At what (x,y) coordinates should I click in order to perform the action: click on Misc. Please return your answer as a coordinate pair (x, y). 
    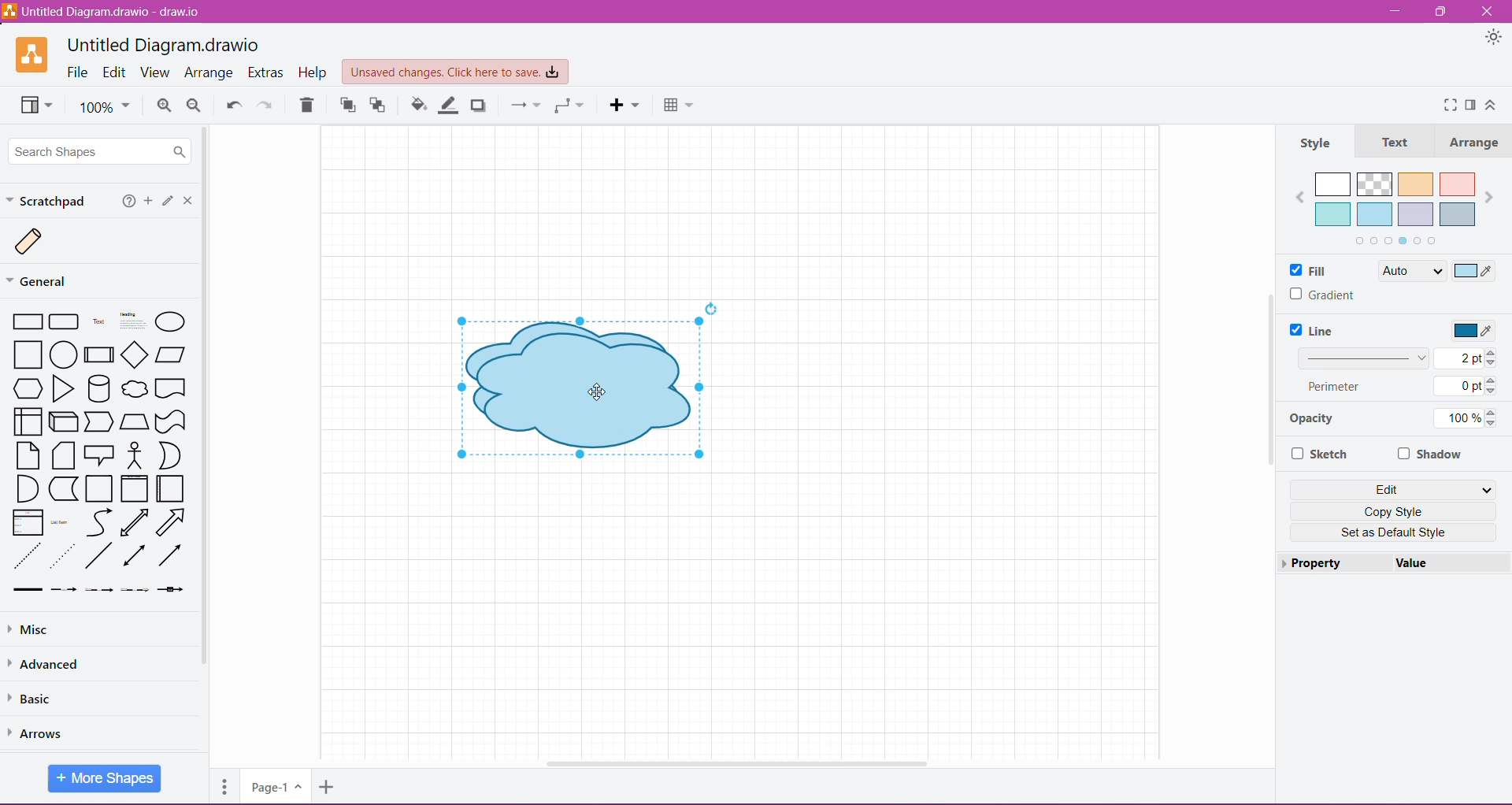
    Looking at the image, I should click on (31, 630).